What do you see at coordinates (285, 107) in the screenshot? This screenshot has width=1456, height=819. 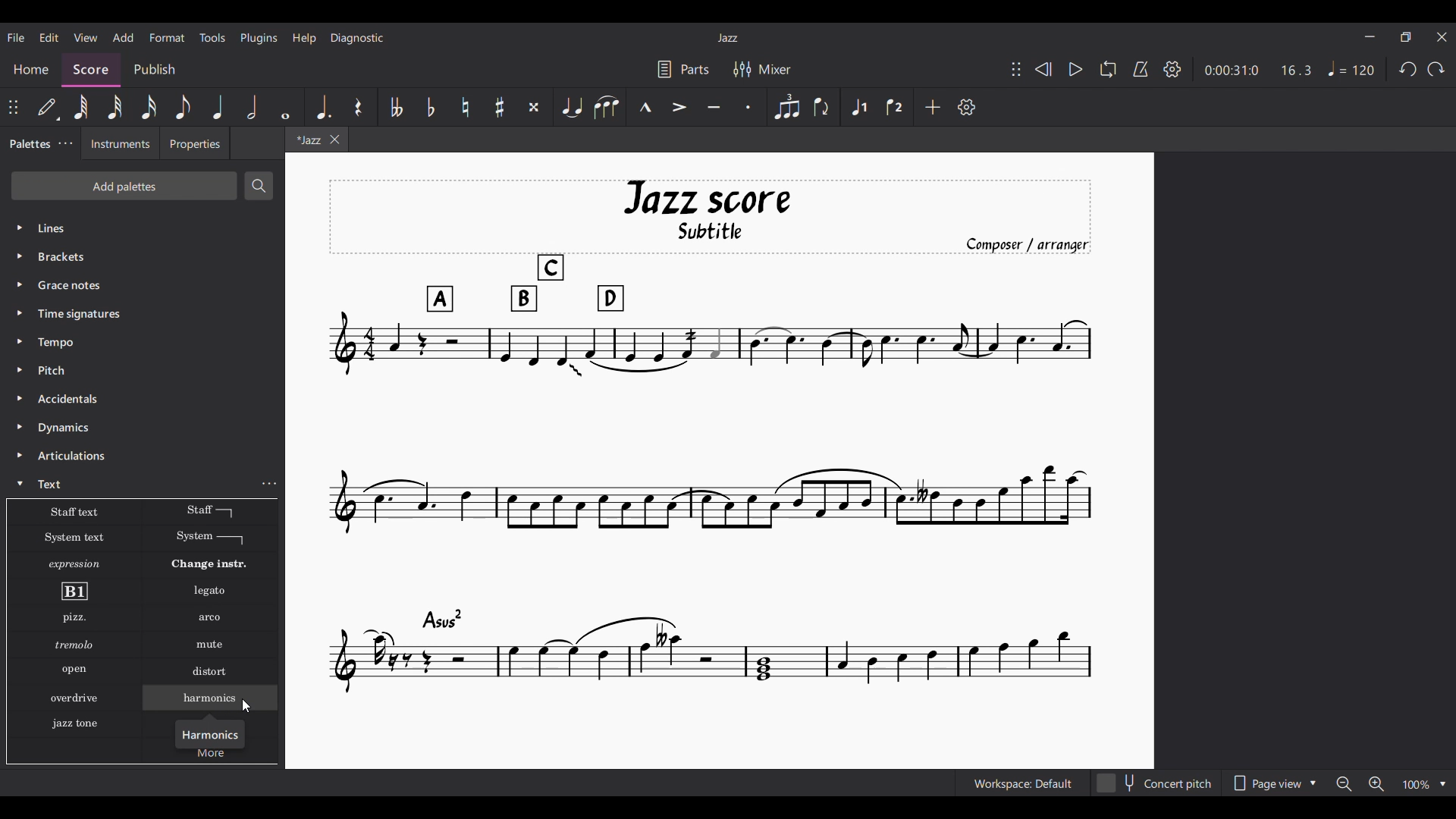 I see `Whole note` at bounding box center [285, 107].